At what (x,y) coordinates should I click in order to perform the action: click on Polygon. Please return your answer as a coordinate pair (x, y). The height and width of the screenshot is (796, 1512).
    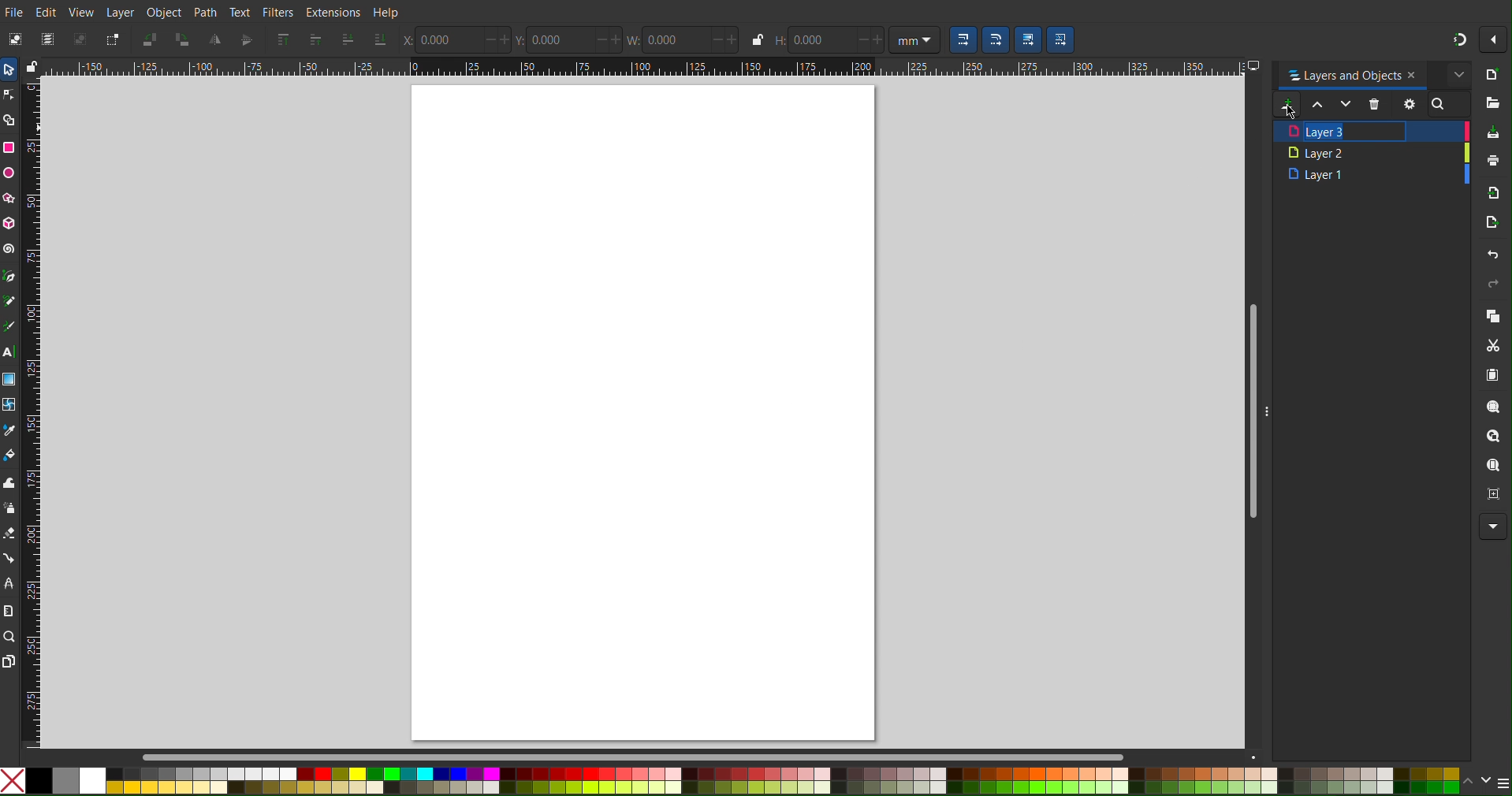
    Looking at the image, I should click on (14, 201).